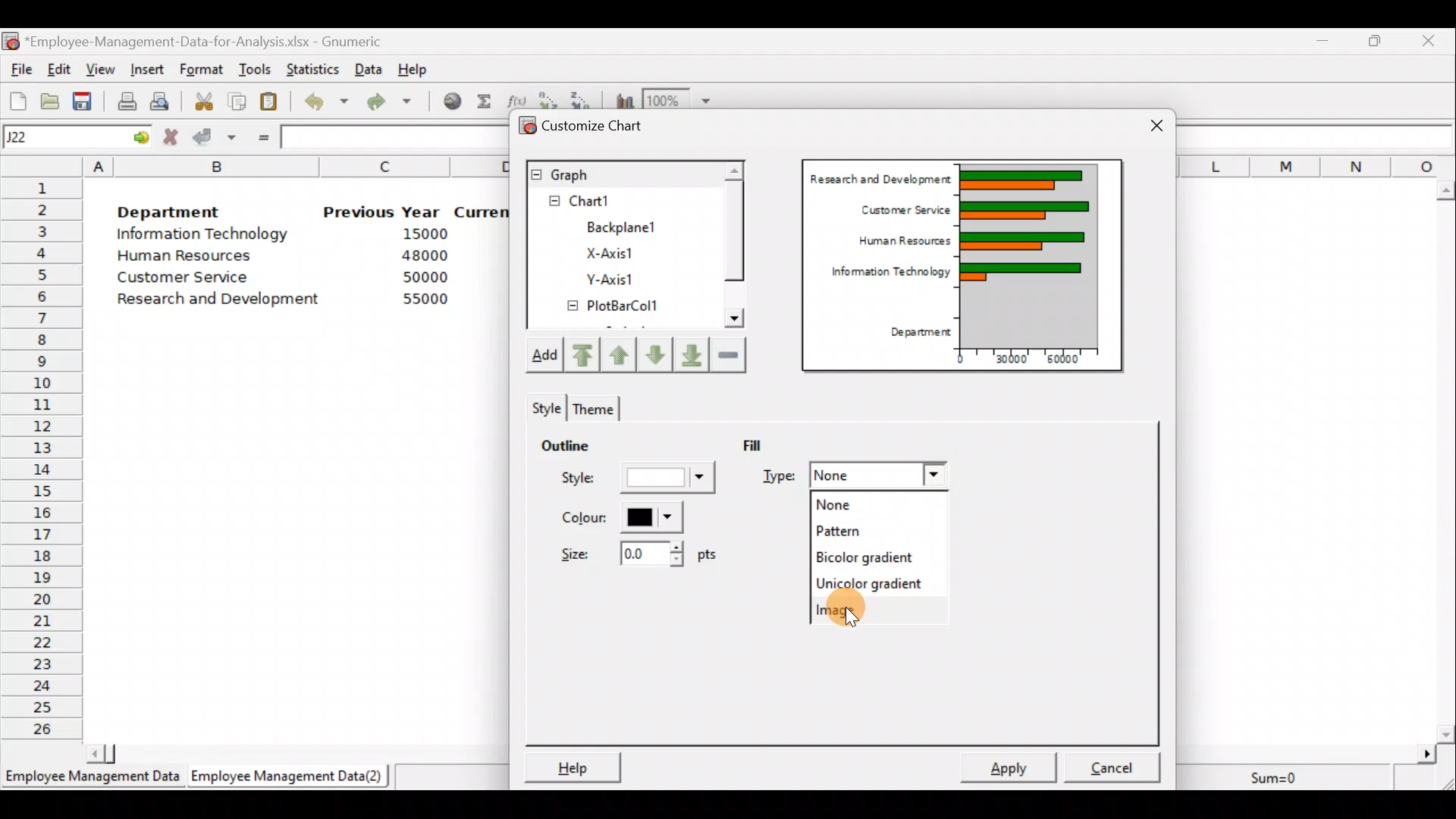 This screenshot has width=1456, height=819. Describe the element at coordinates (420, 237) in the screenshot. I see `15000` at that location.